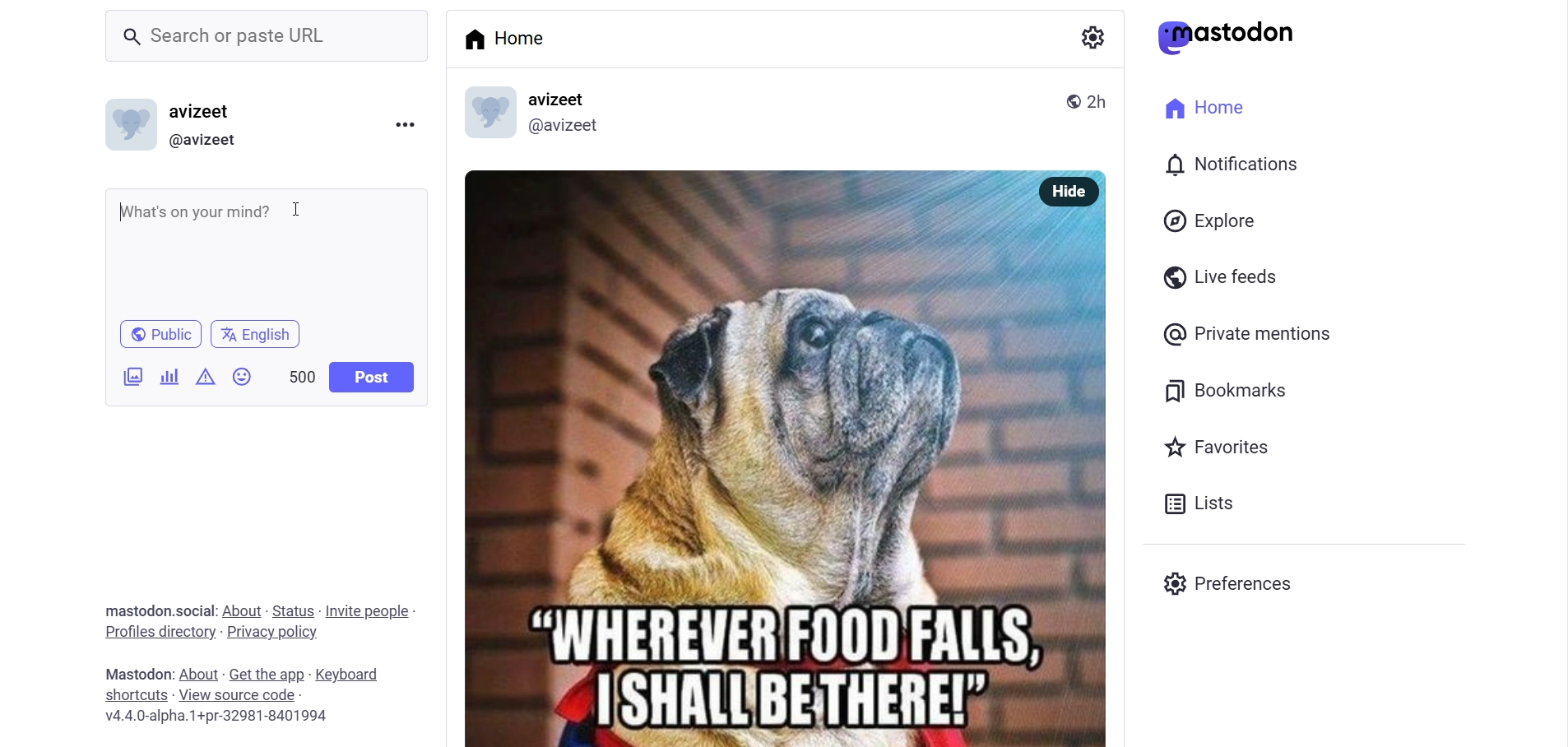  Describe the element at coordinates (1236, 42) in the screenshot. I see `@astodon` at that location.